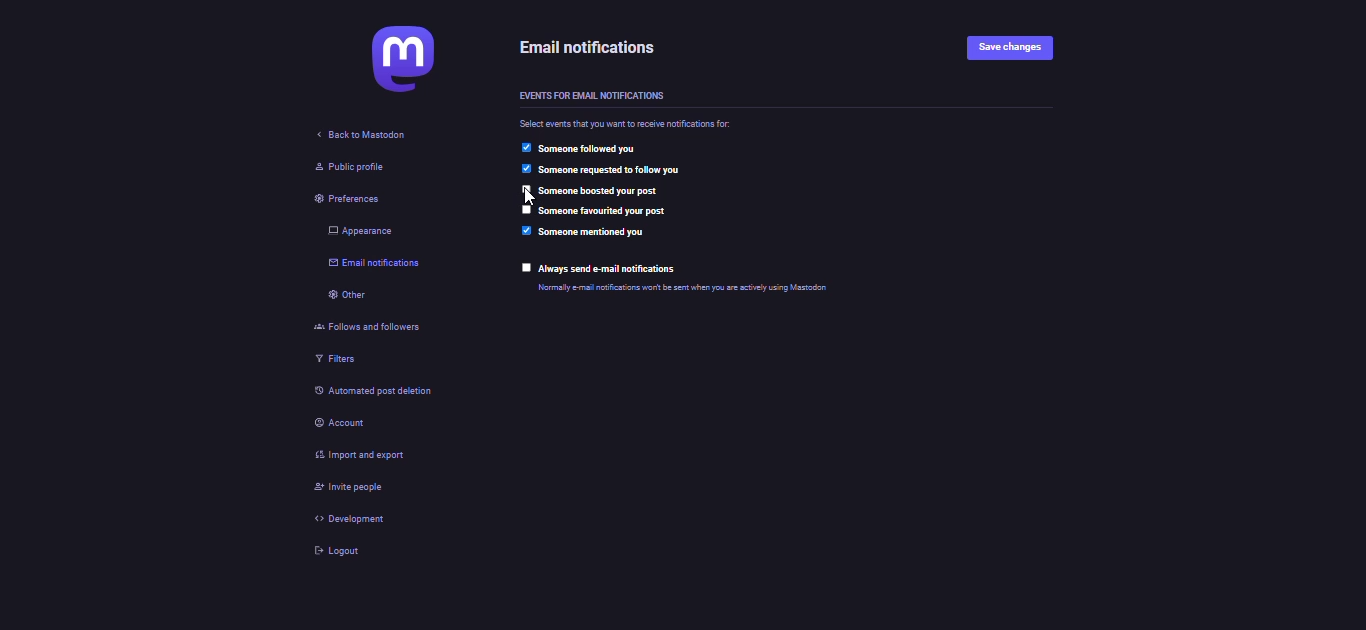 The width and height of the screenshot is (1366, 630). I want to click on mastodon, so click(384, 65).